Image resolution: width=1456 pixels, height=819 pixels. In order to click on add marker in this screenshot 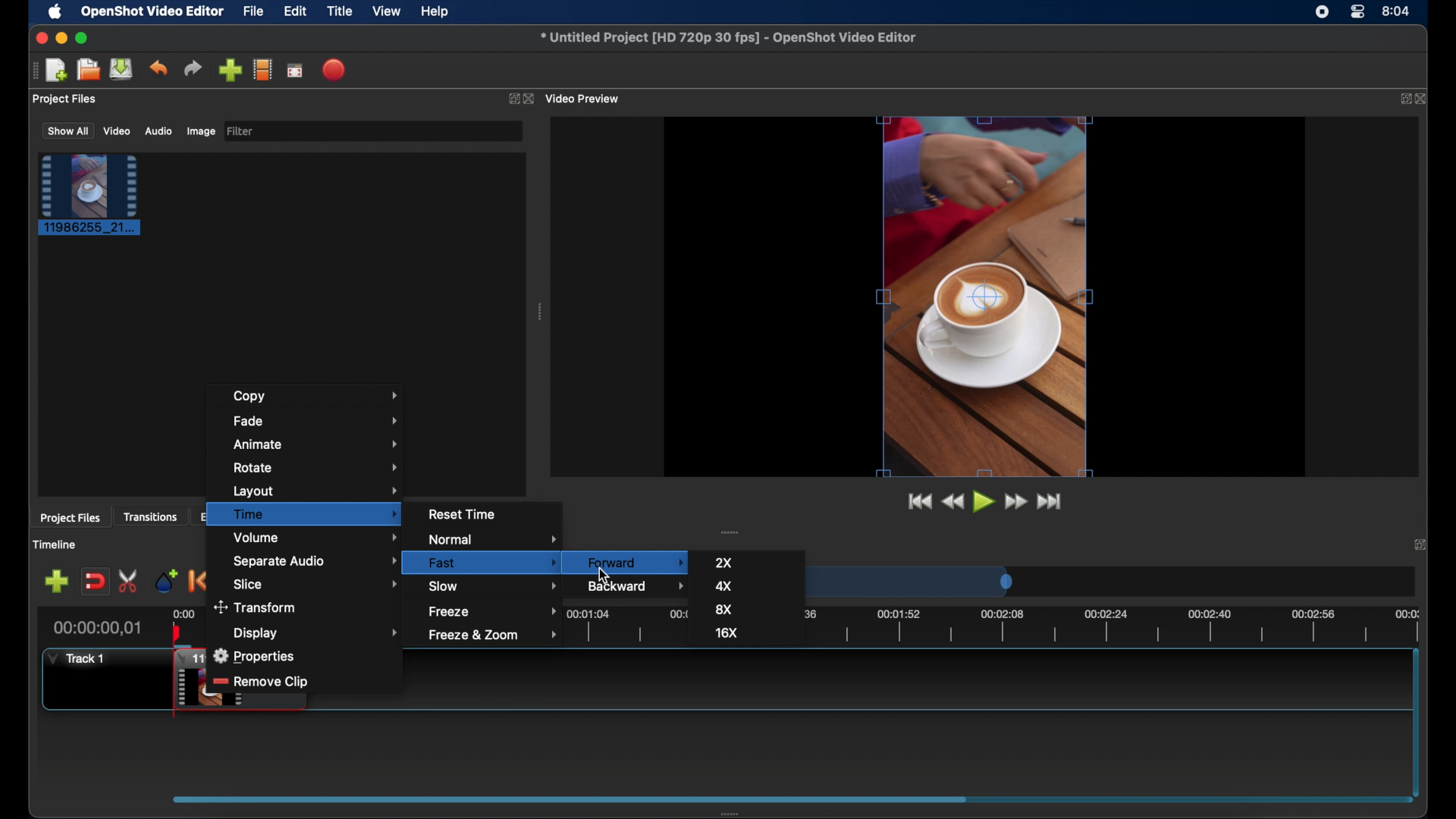, I will do `click(167, 581)`.